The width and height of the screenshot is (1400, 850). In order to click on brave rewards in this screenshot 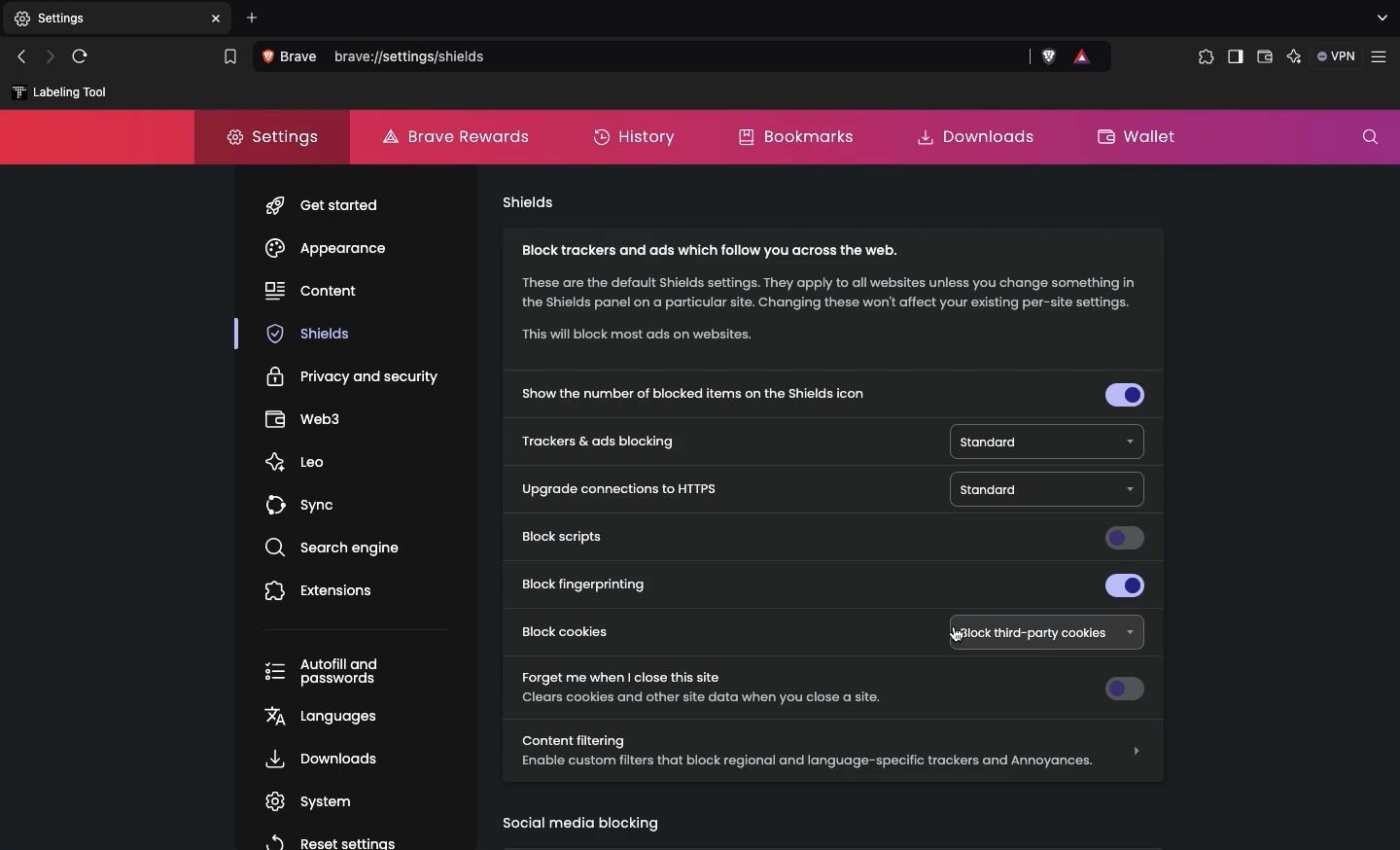, I will do `click(1079, 55)`.